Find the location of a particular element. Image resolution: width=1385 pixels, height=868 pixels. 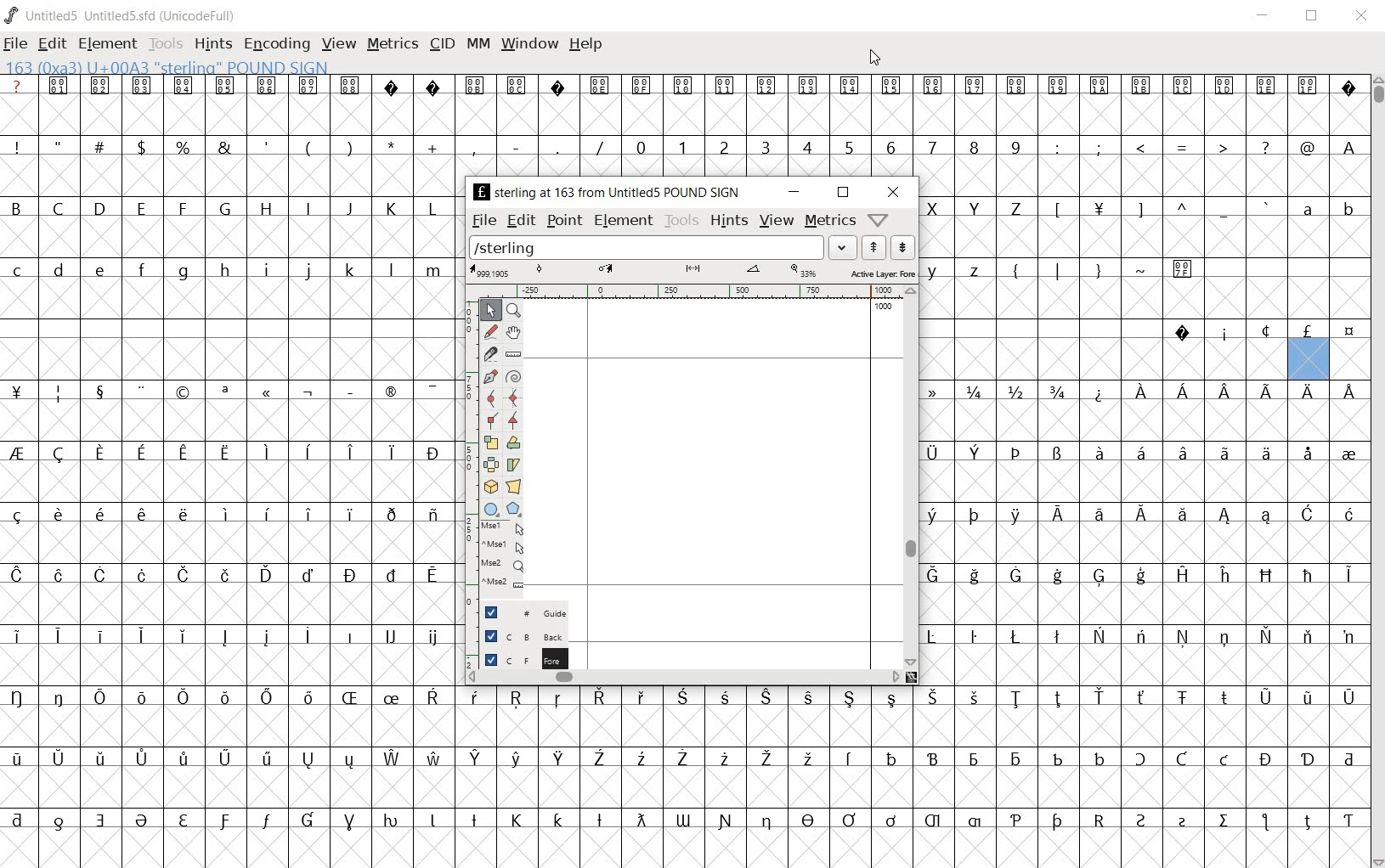

view is located at coordinates (777, 221).